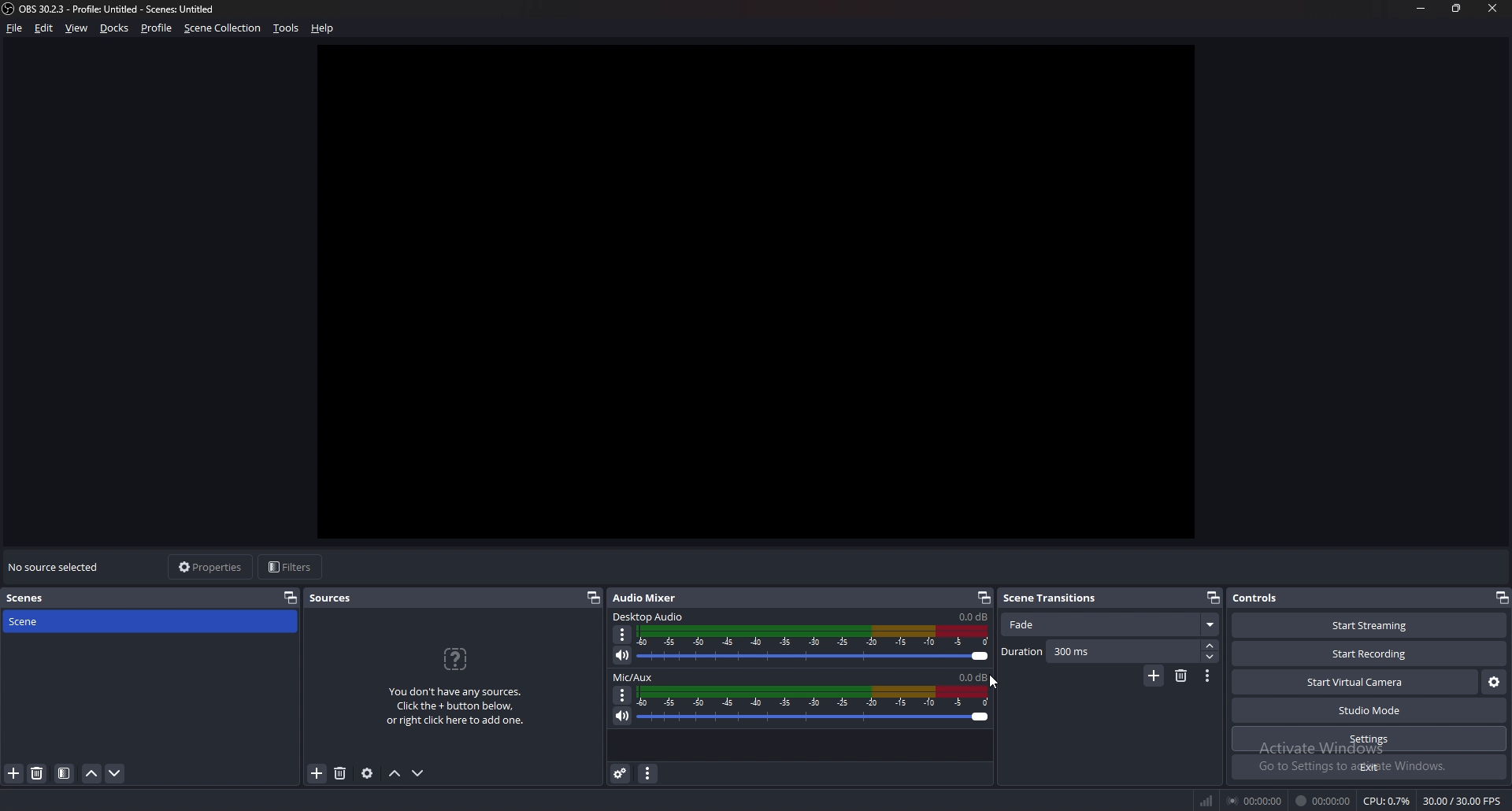 The image size is (1512, 811). I want to click on mute, so click(622, 717).